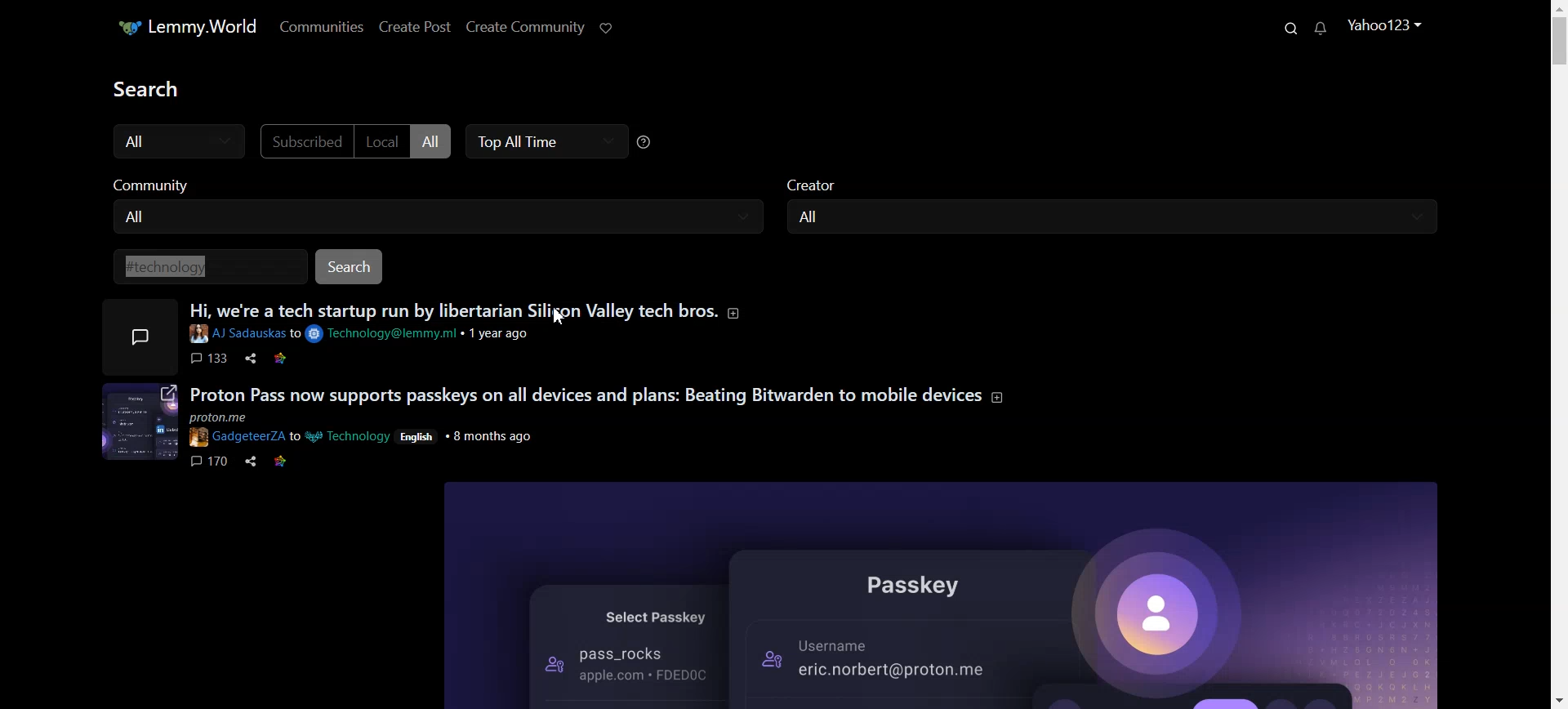 This screenshot has width=1568, height=709. What do you see at coordinates (351, 266) in the screenshot?
I see `Search` at bounding box center [351, 266].